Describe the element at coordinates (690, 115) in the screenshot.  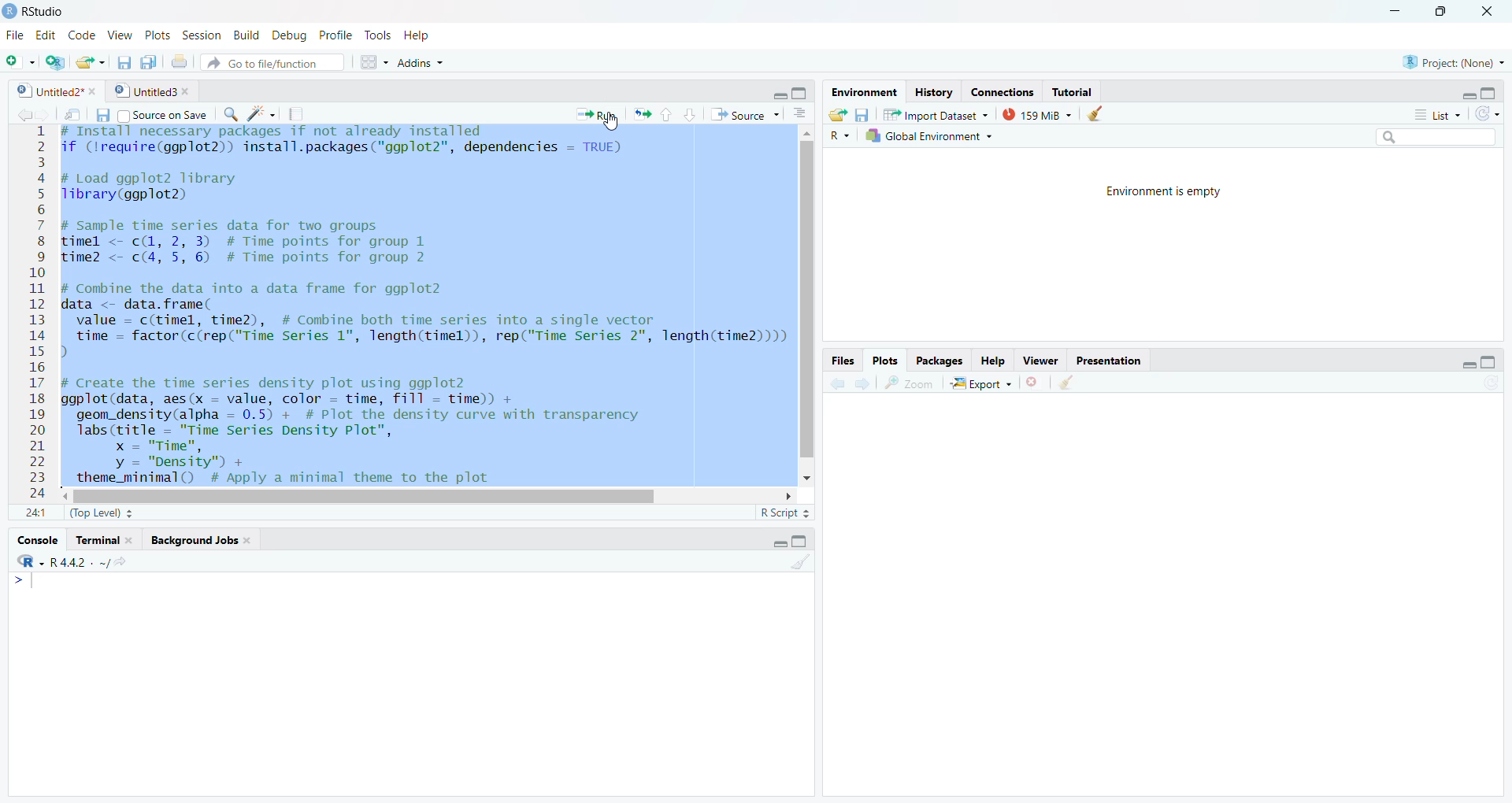
I see `down` at that location.